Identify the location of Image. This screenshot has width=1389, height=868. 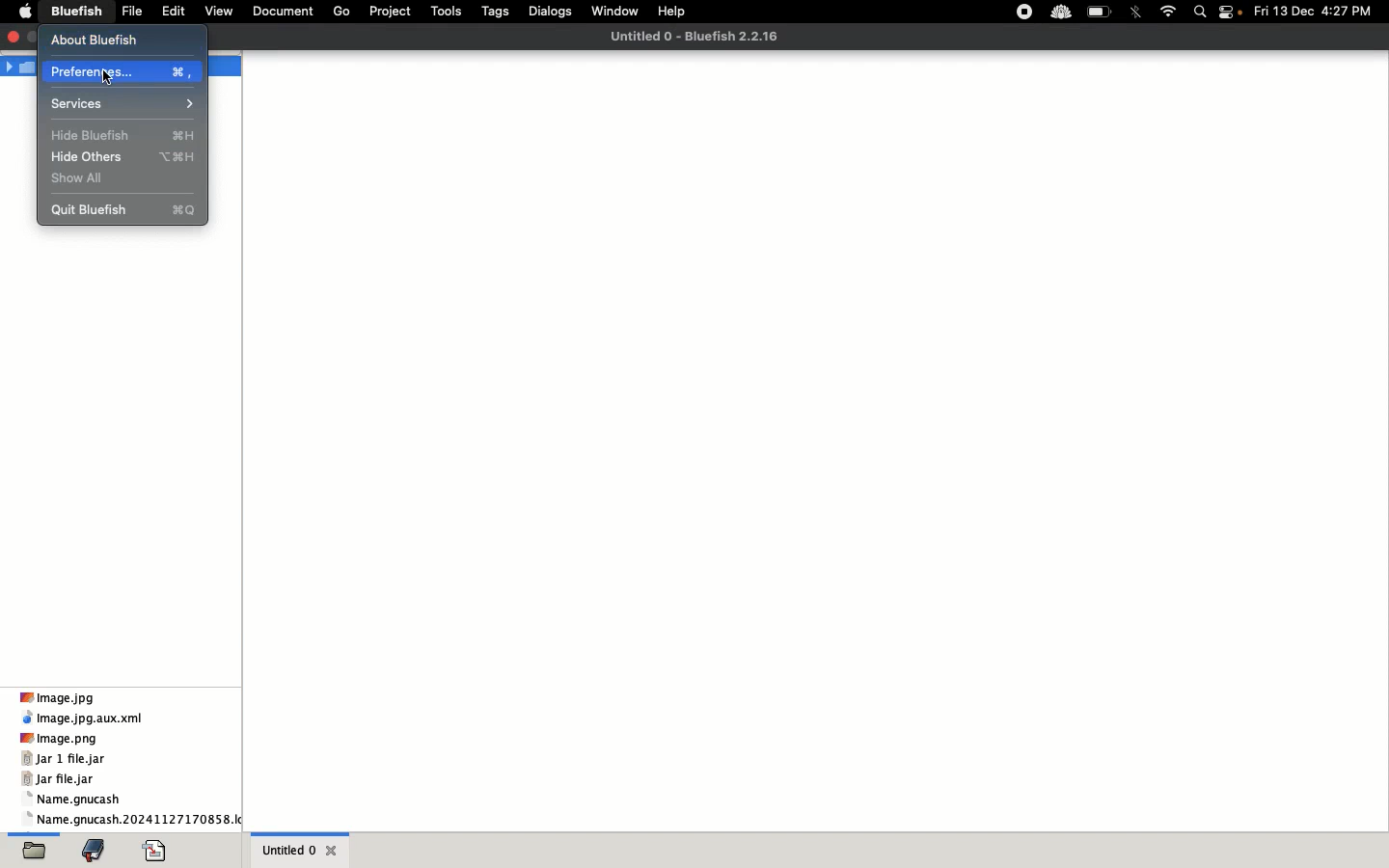
(64, 697).